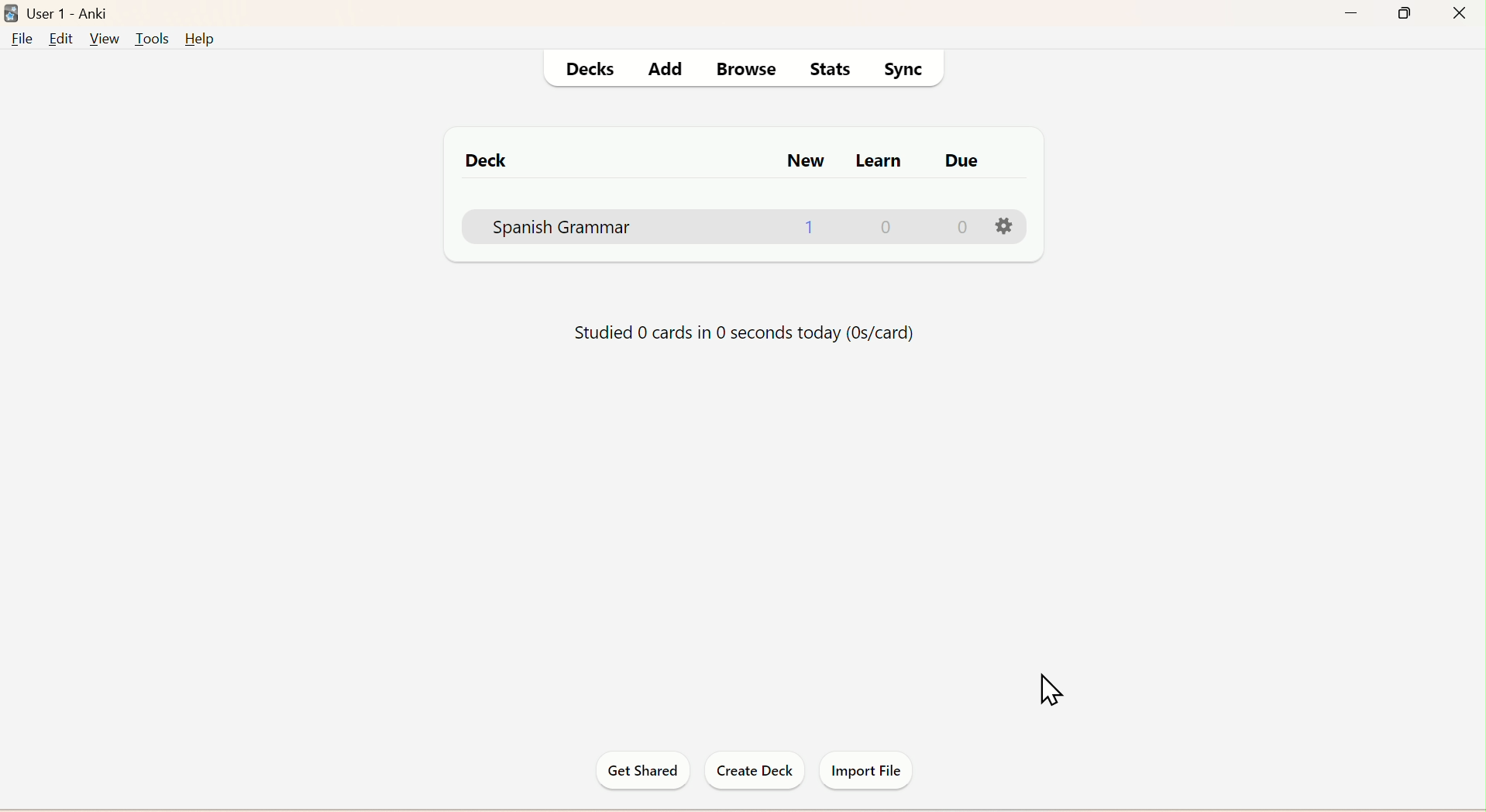 The height and width of the screenshot is (812, 1486). Describe the element at coordinates (22, 43) in the screenshot. I see `` at that location.